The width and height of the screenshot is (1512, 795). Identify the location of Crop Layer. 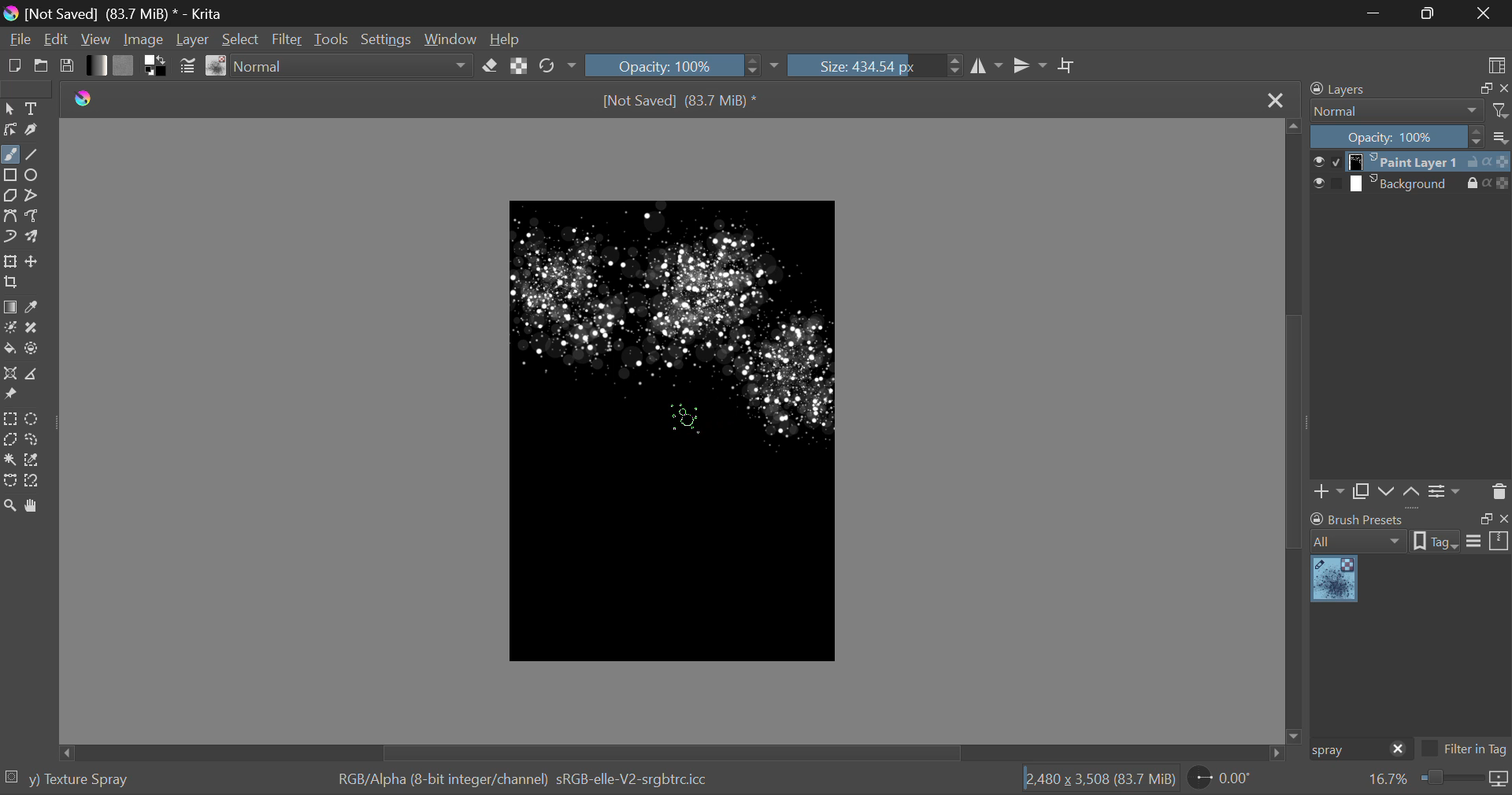
(13, 283).